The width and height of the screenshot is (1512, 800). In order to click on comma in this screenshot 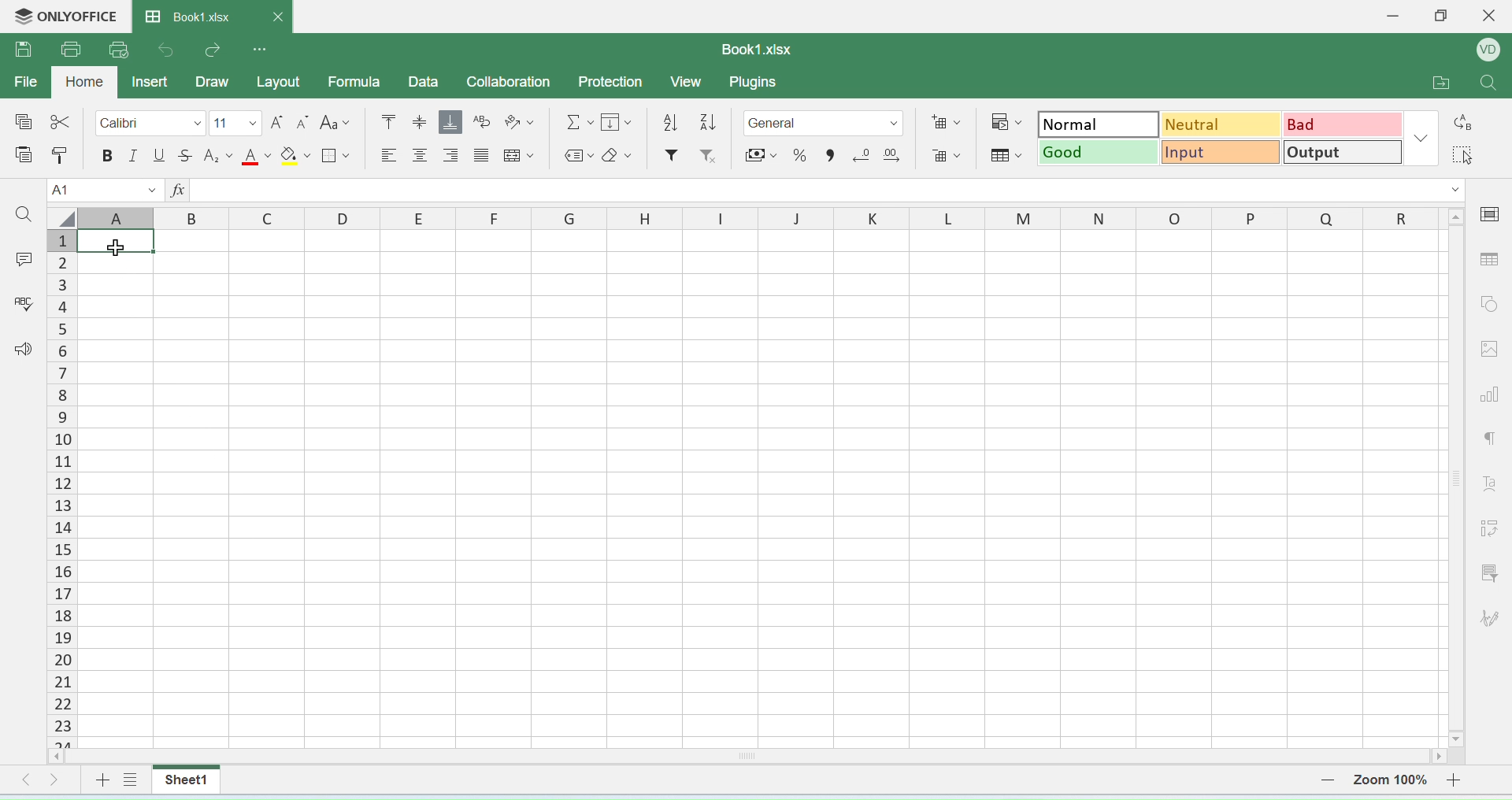, I will do `click(837, 155)`.